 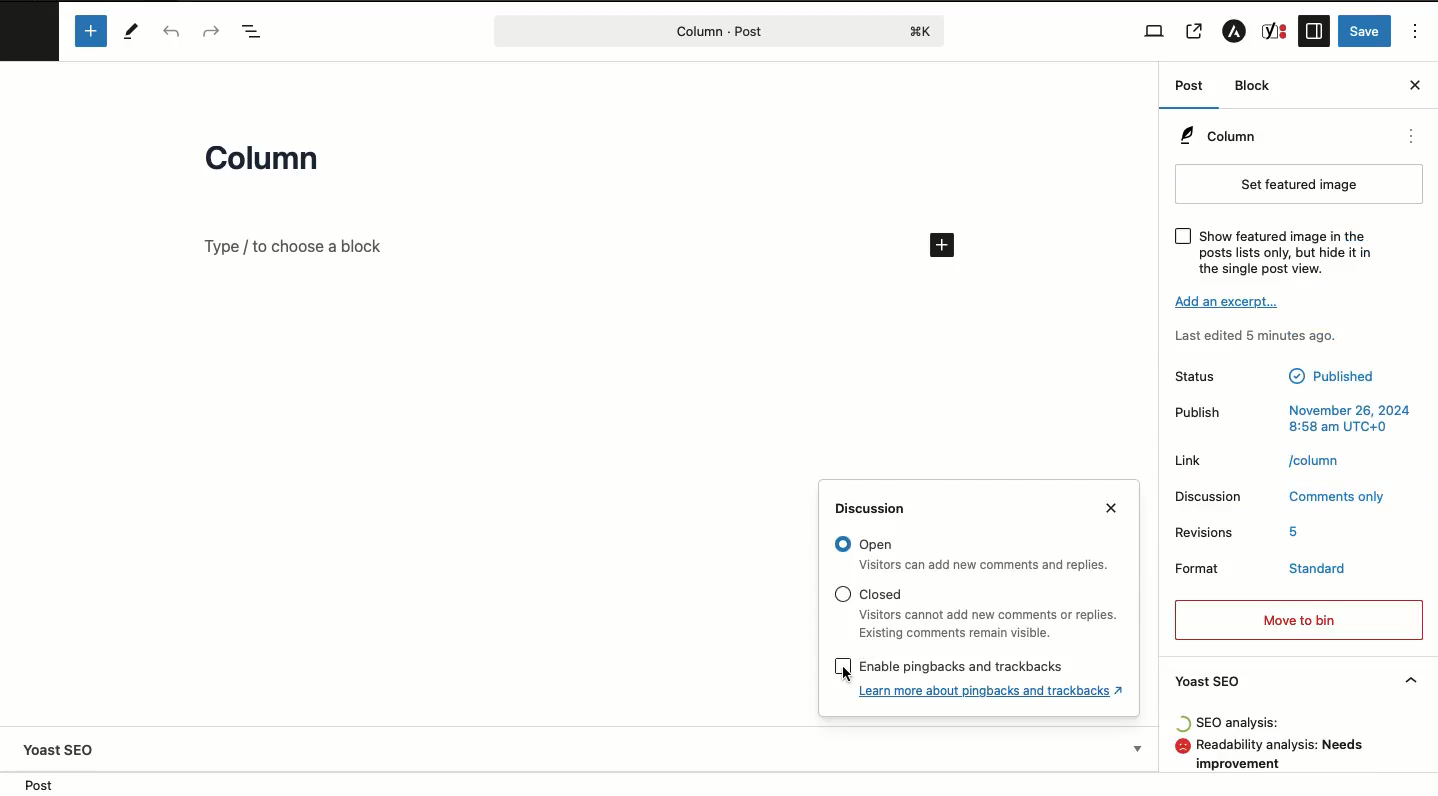 What do you see at coordinates (1194, 87) in the screenshot?
I see `Post` at bounding box center [1194, 87].